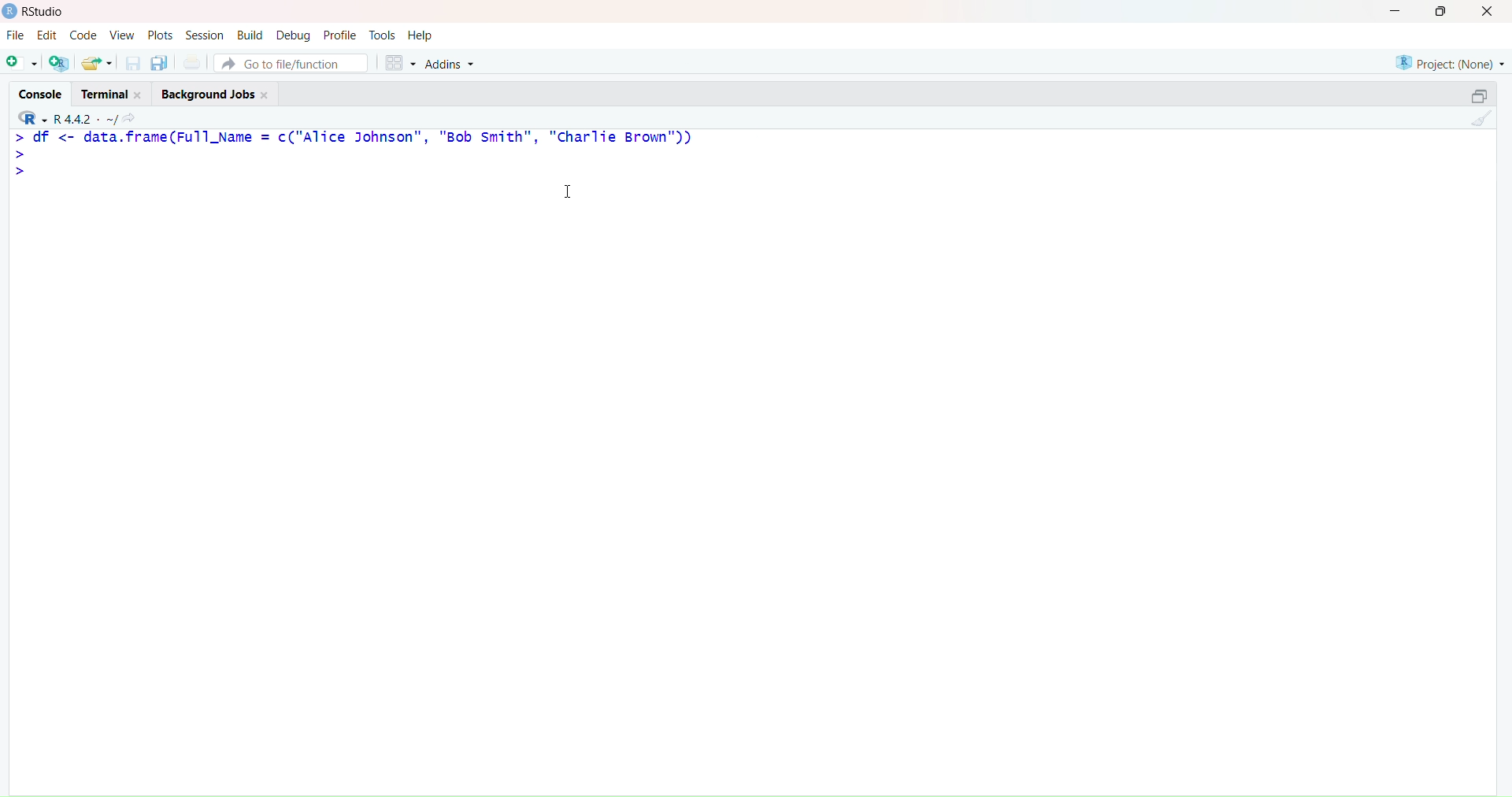 This screenshot has height=797, width=1512. I want to click on Create a project, so click(60, 63).